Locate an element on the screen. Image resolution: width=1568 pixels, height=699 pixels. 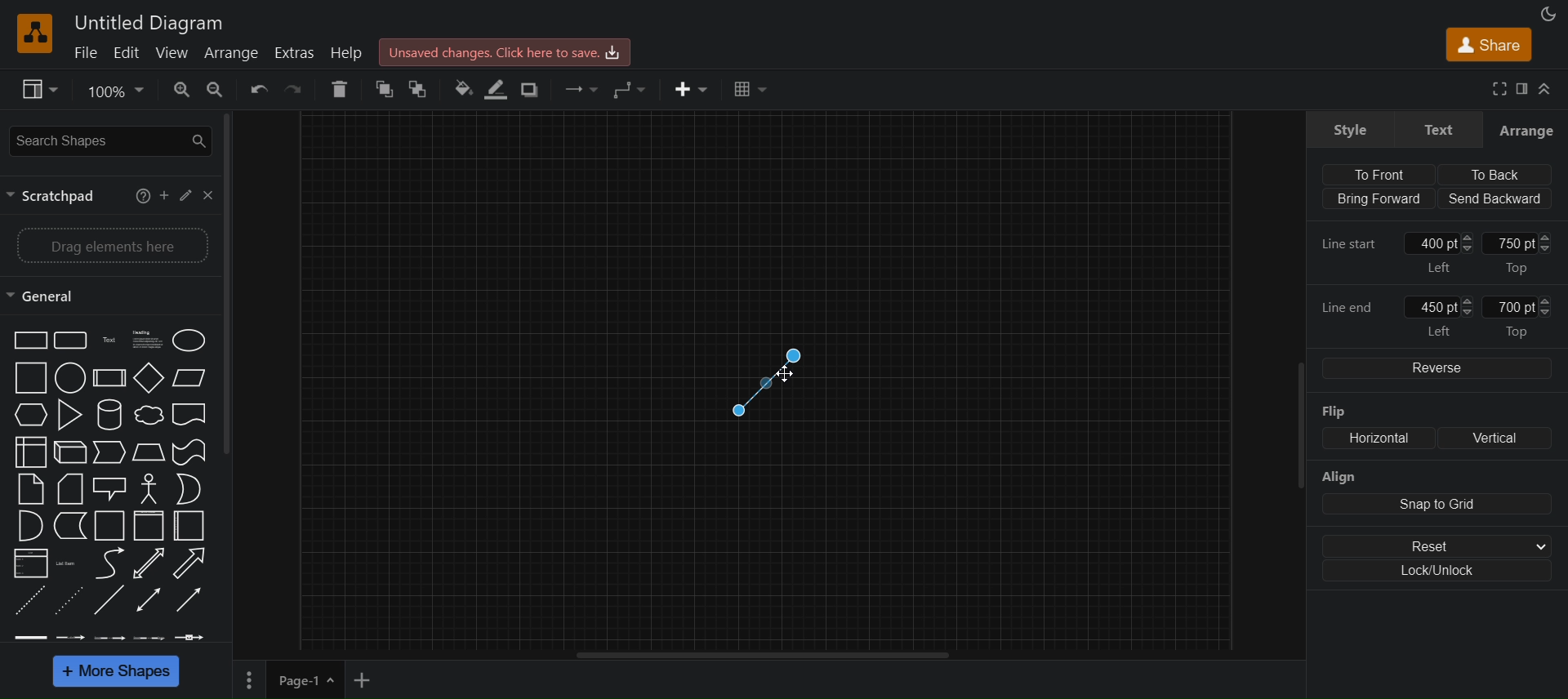
bring forward is located at coordinates (1375, 199).